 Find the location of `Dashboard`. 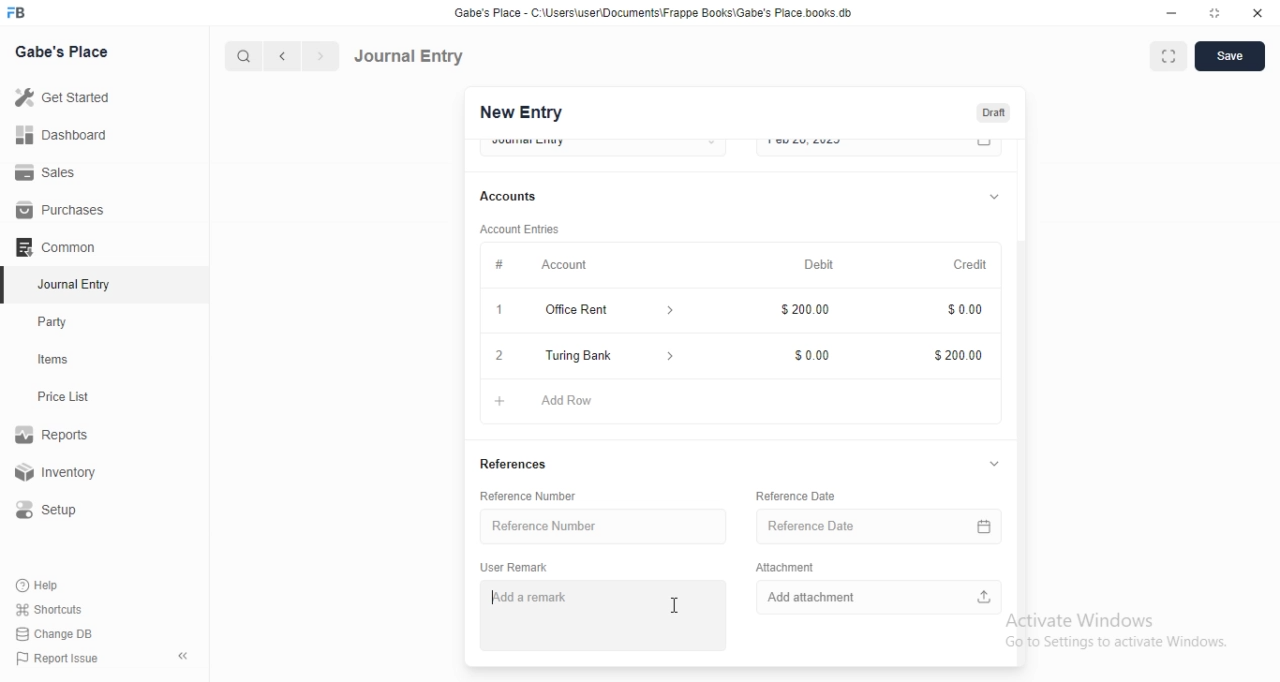

Dashboard is located at coordinates (59, 135).